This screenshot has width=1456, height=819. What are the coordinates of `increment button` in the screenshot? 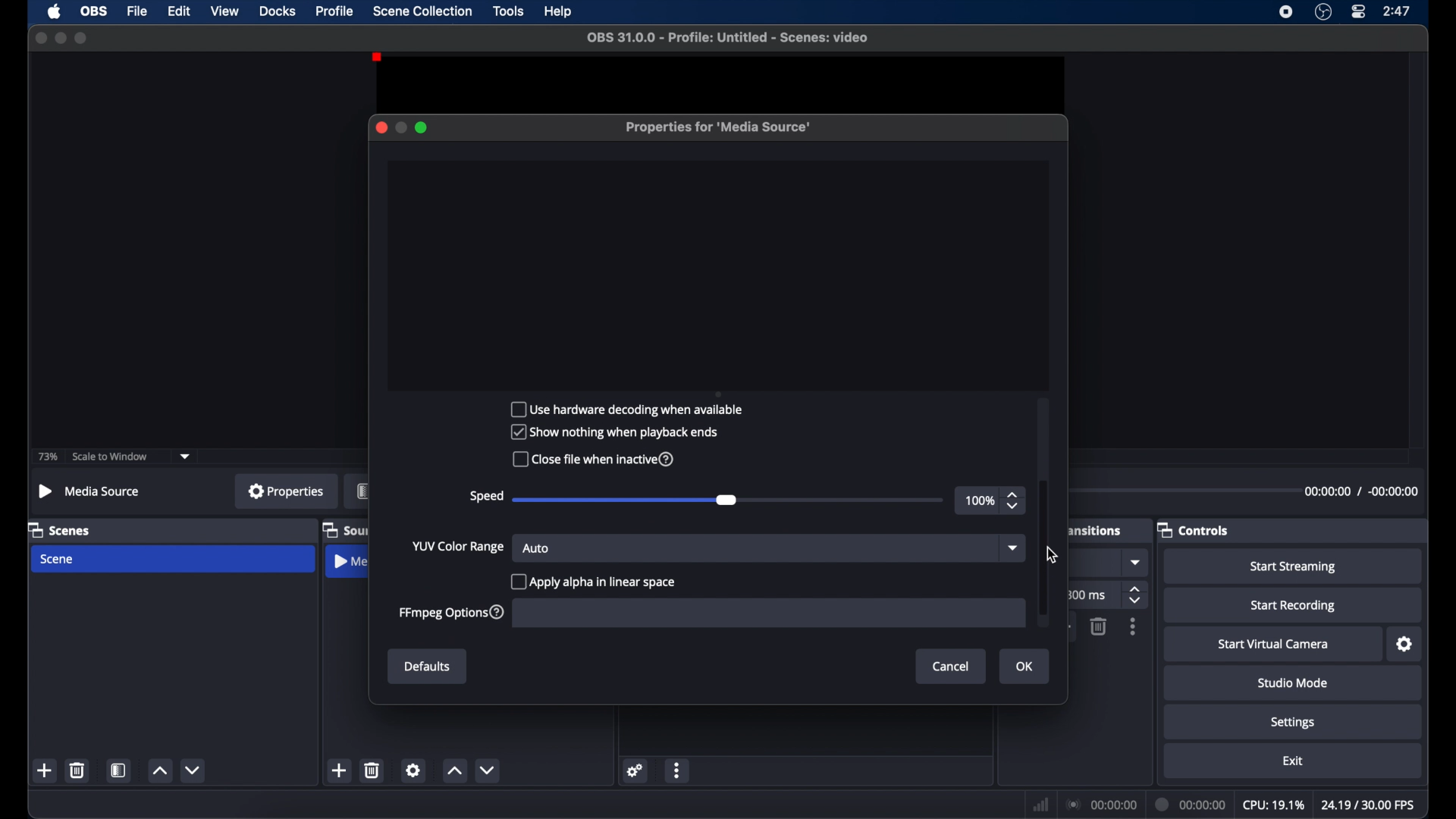 It's located at (159, 770).